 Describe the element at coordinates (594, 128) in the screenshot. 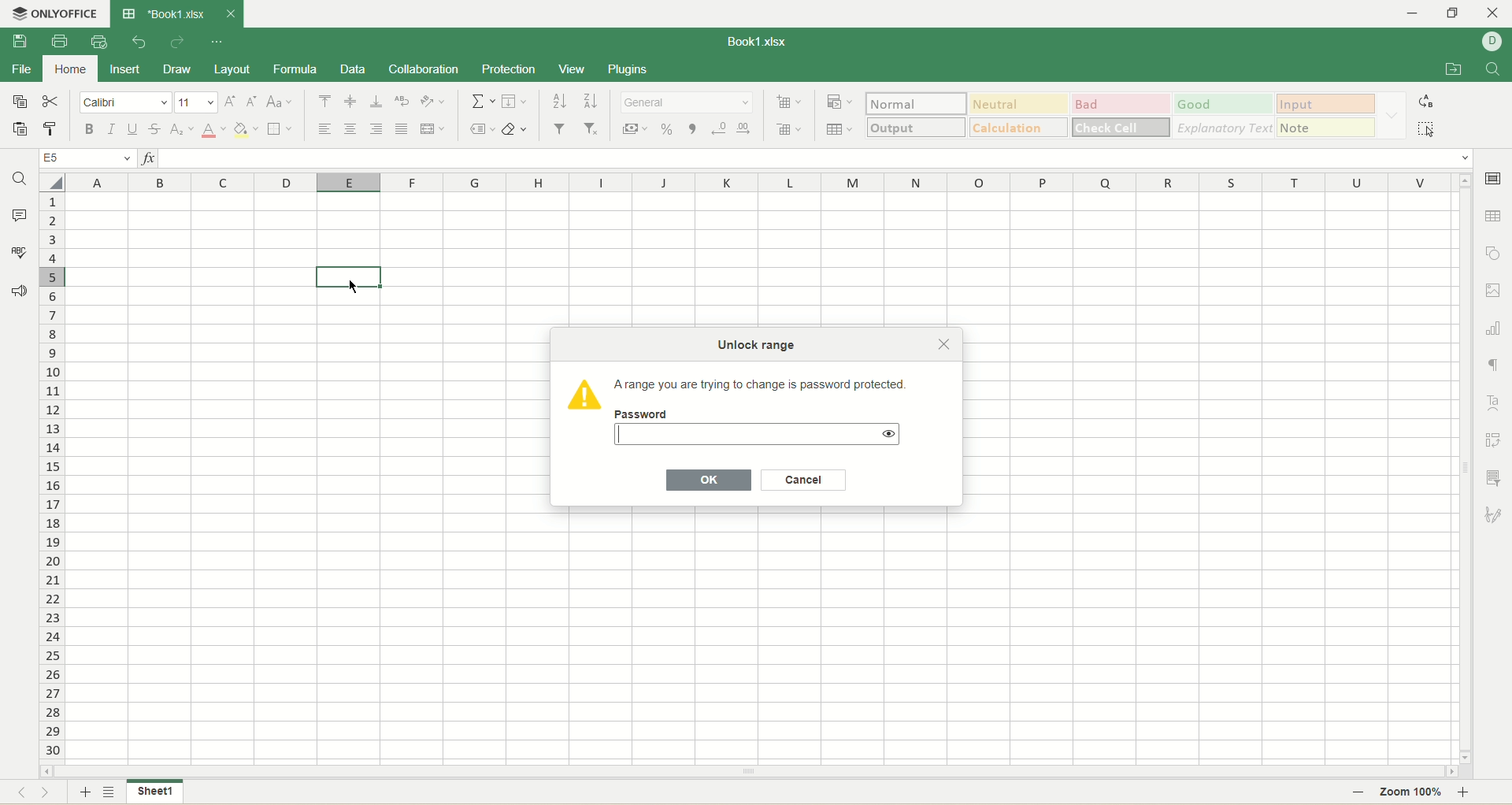

I see `remove filter` at that location.